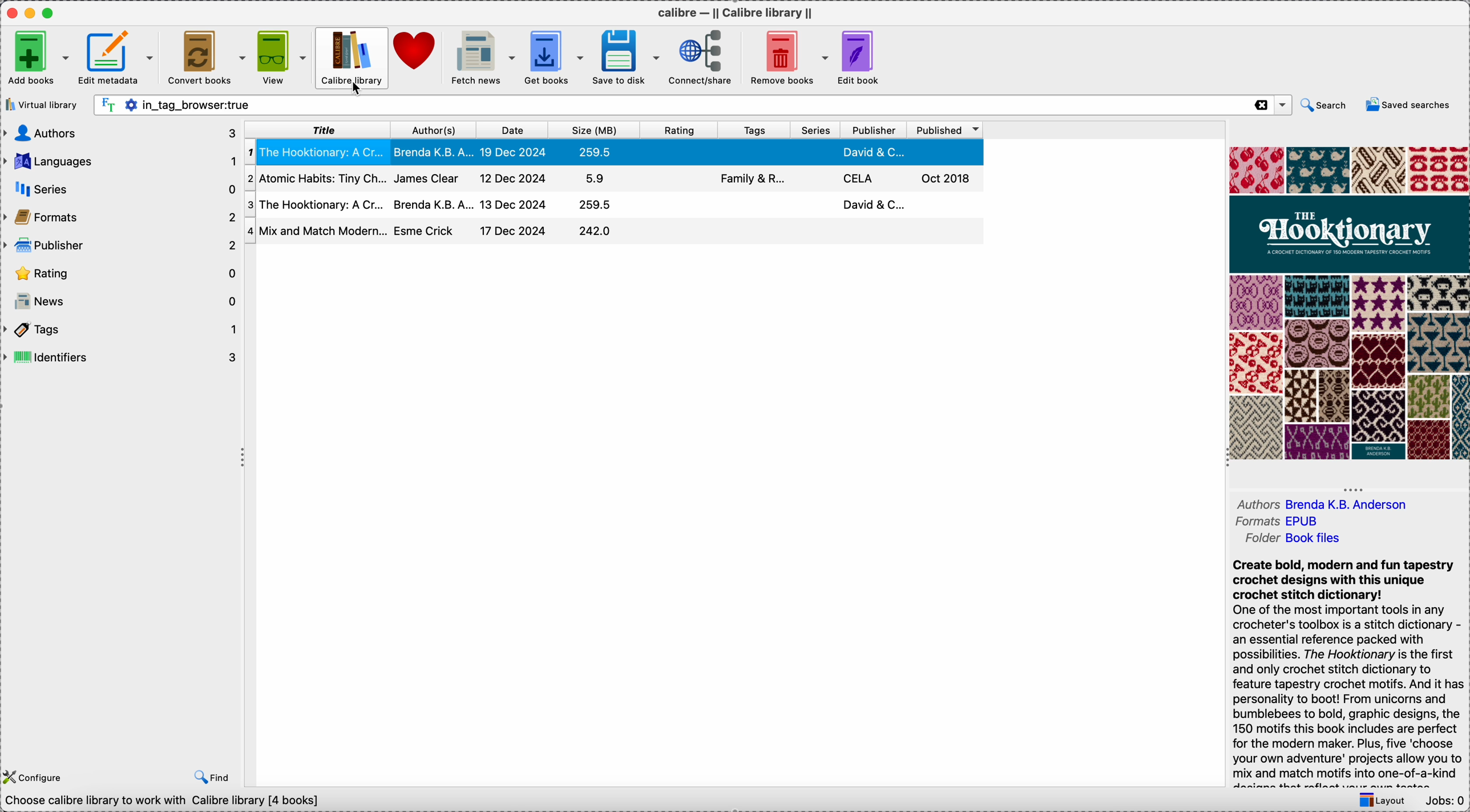  Describe the element at coordinates (207, 57) in the screenshot. I see `convert books` at that location.